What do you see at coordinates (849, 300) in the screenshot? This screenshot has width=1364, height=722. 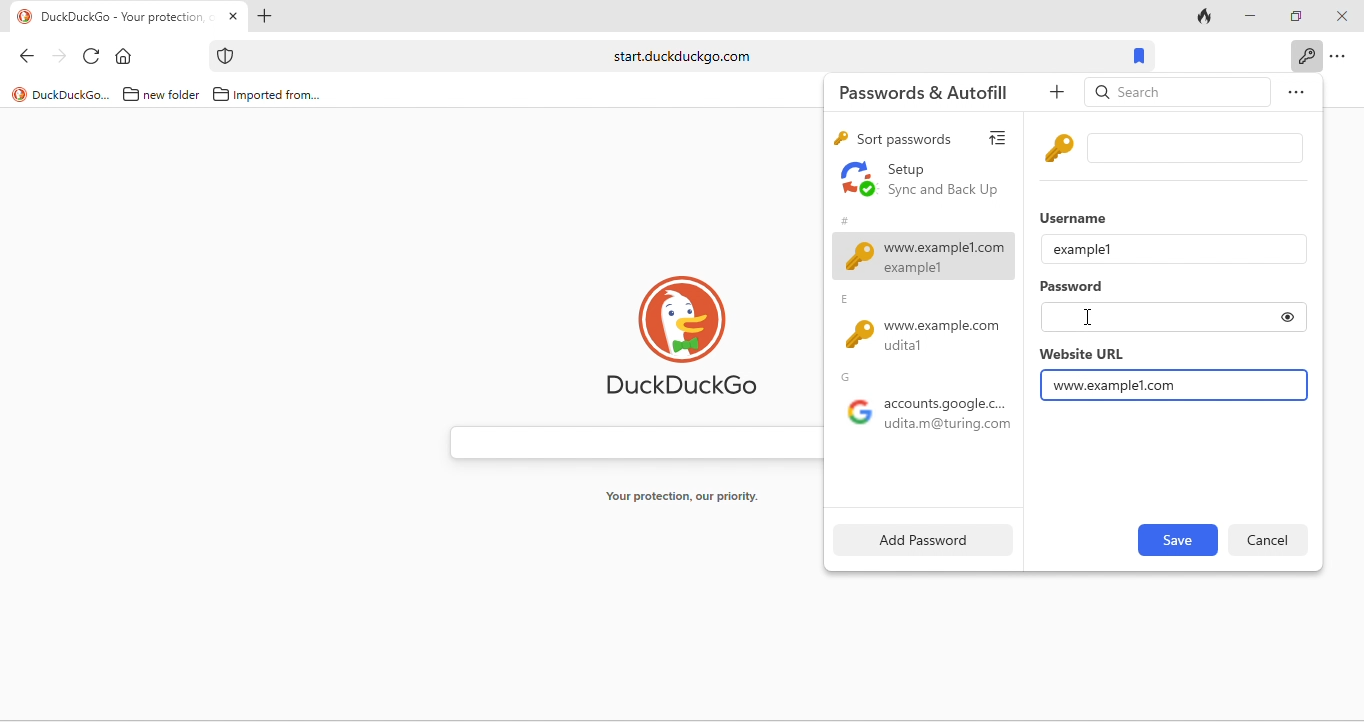 I see `e` at bounding box center [849, 300].